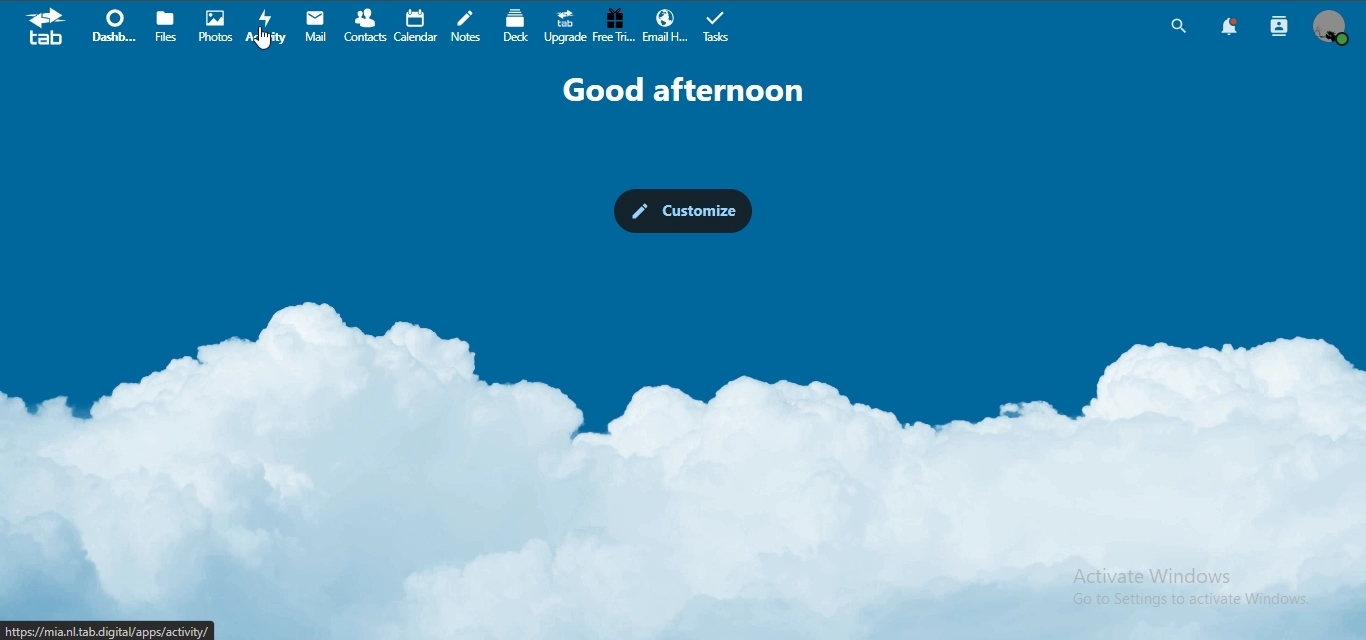  I want to click on upgrade, so click(564, 25).